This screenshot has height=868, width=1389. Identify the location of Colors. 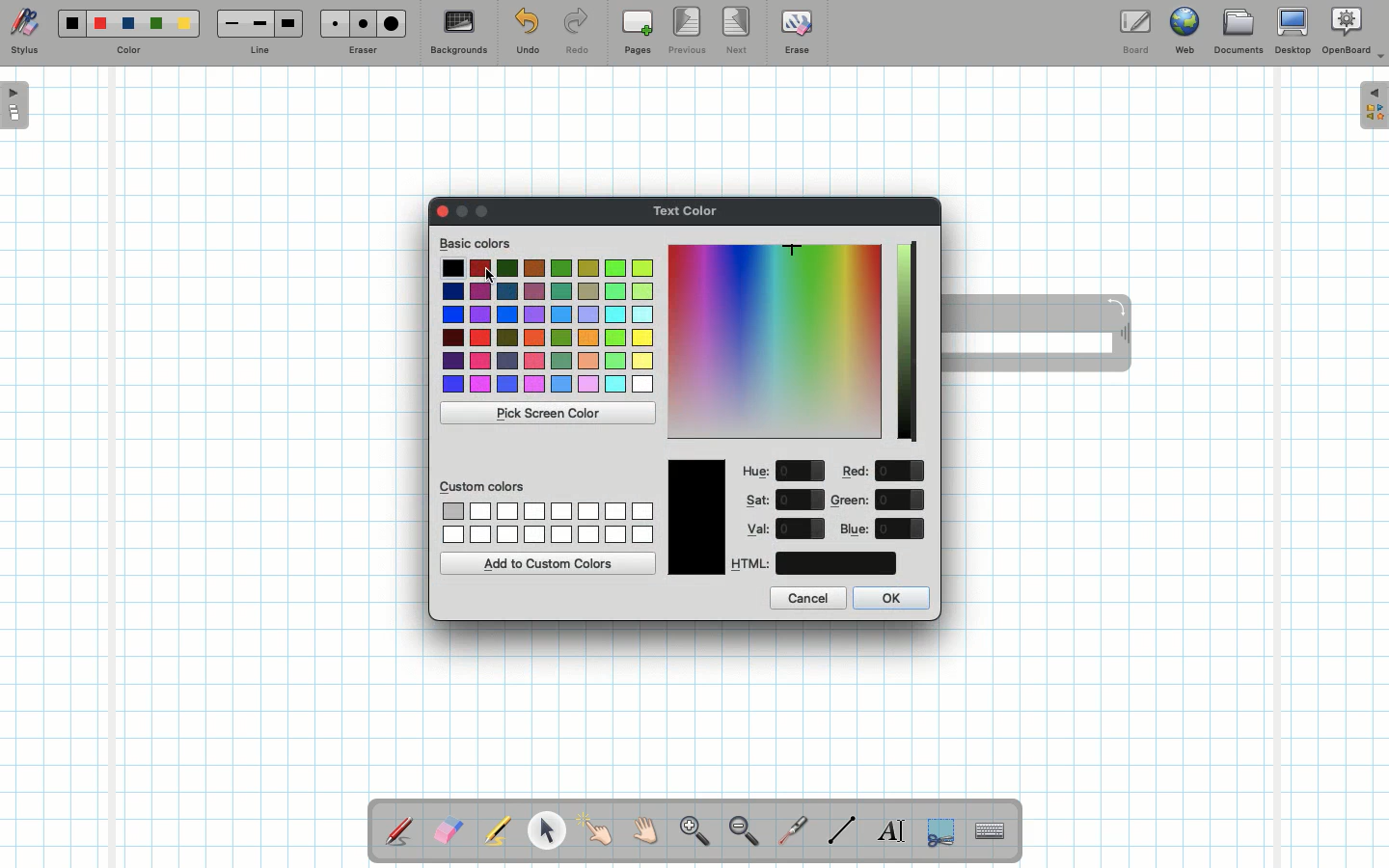
(548, 328).